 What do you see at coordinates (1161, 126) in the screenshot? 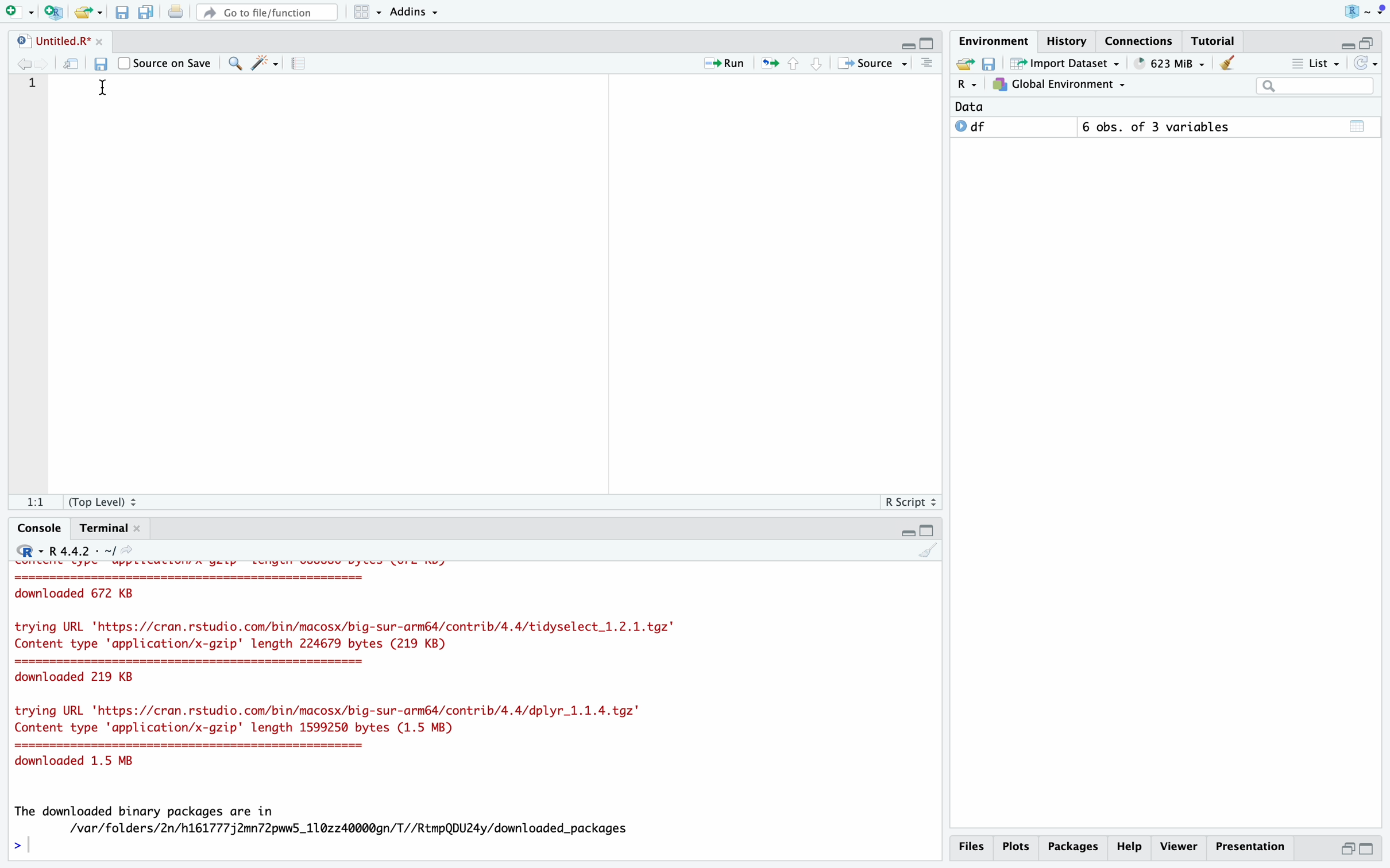
I see `6 obs. of 3 variables` at bounding box center [1161, 126].